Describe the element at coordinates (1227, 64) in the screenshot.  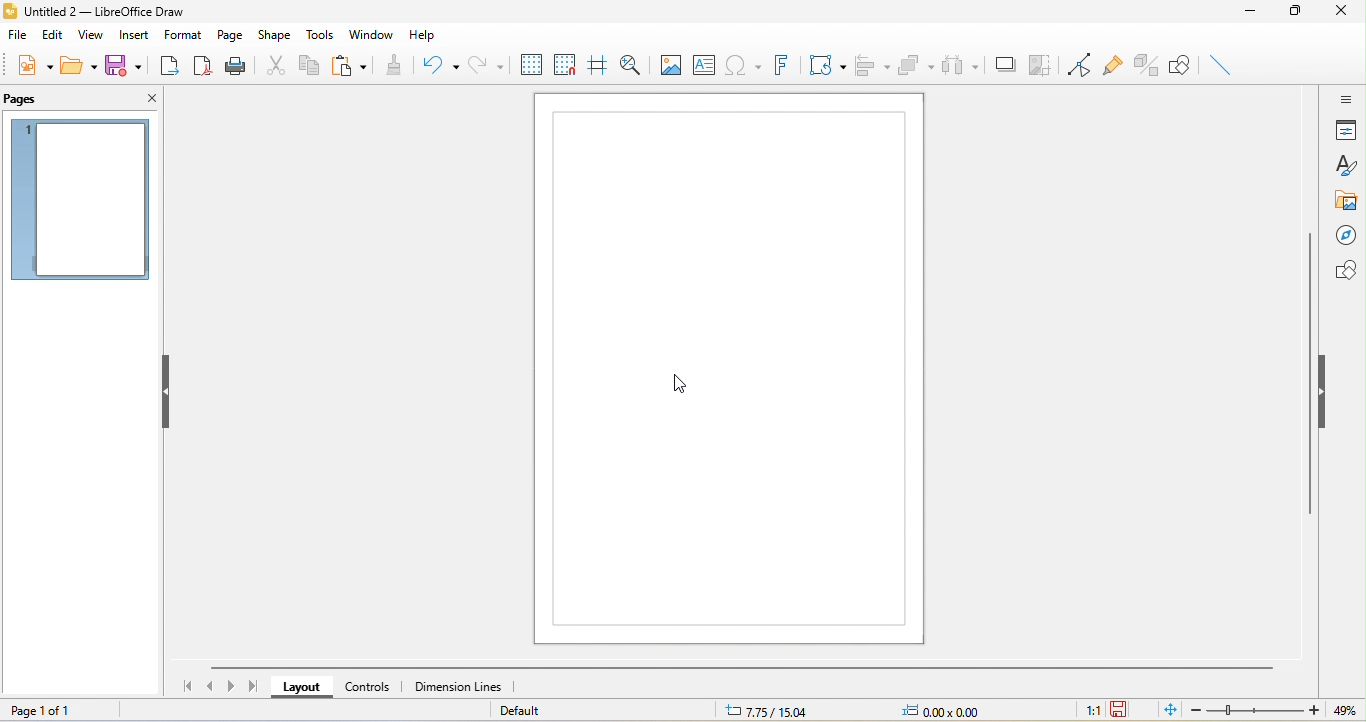
I see `toggle extrusion` at that location.